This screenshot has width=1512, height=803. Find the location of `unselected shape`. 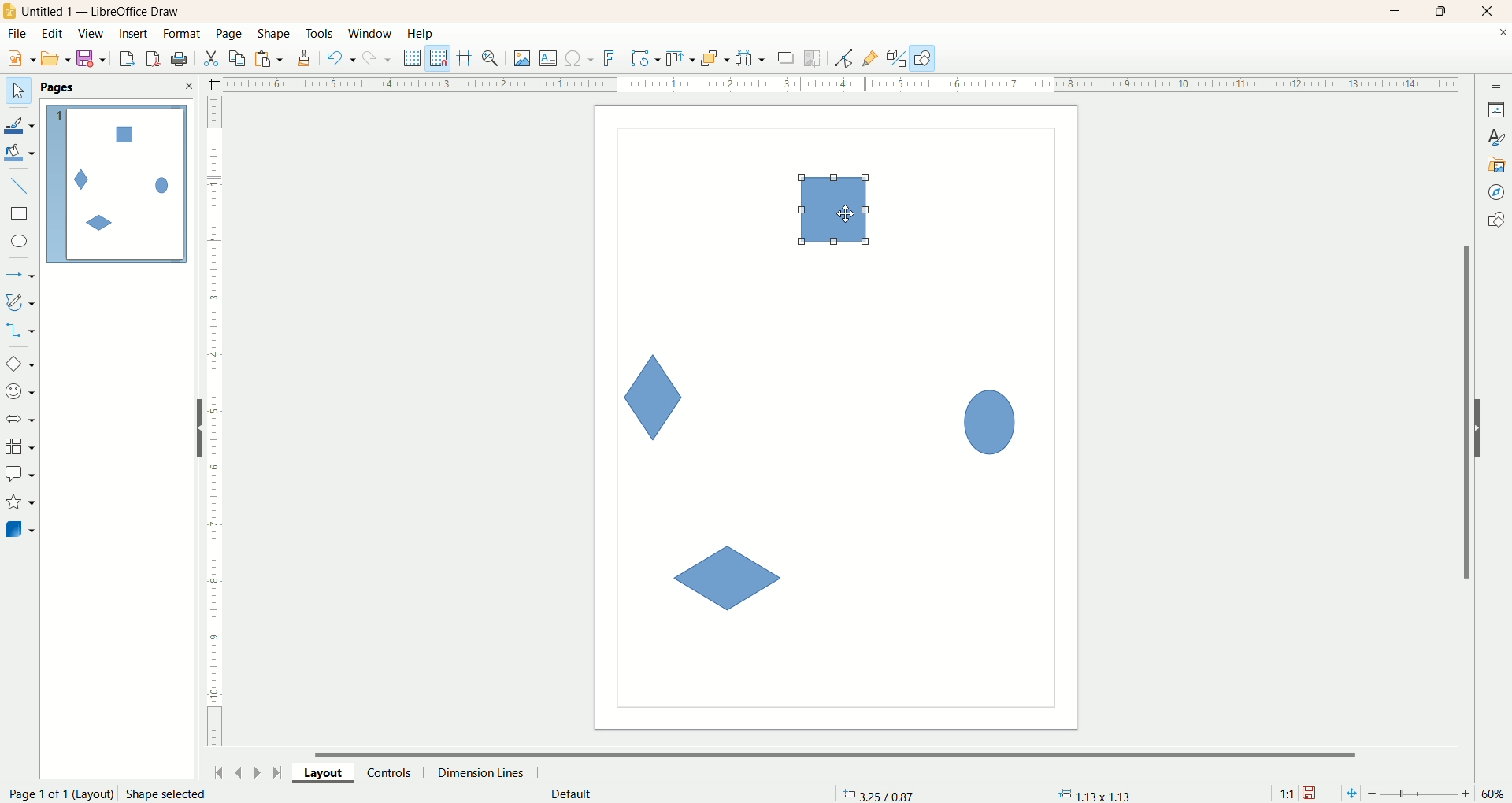

unselected shape is located at coordinates (726, 579).